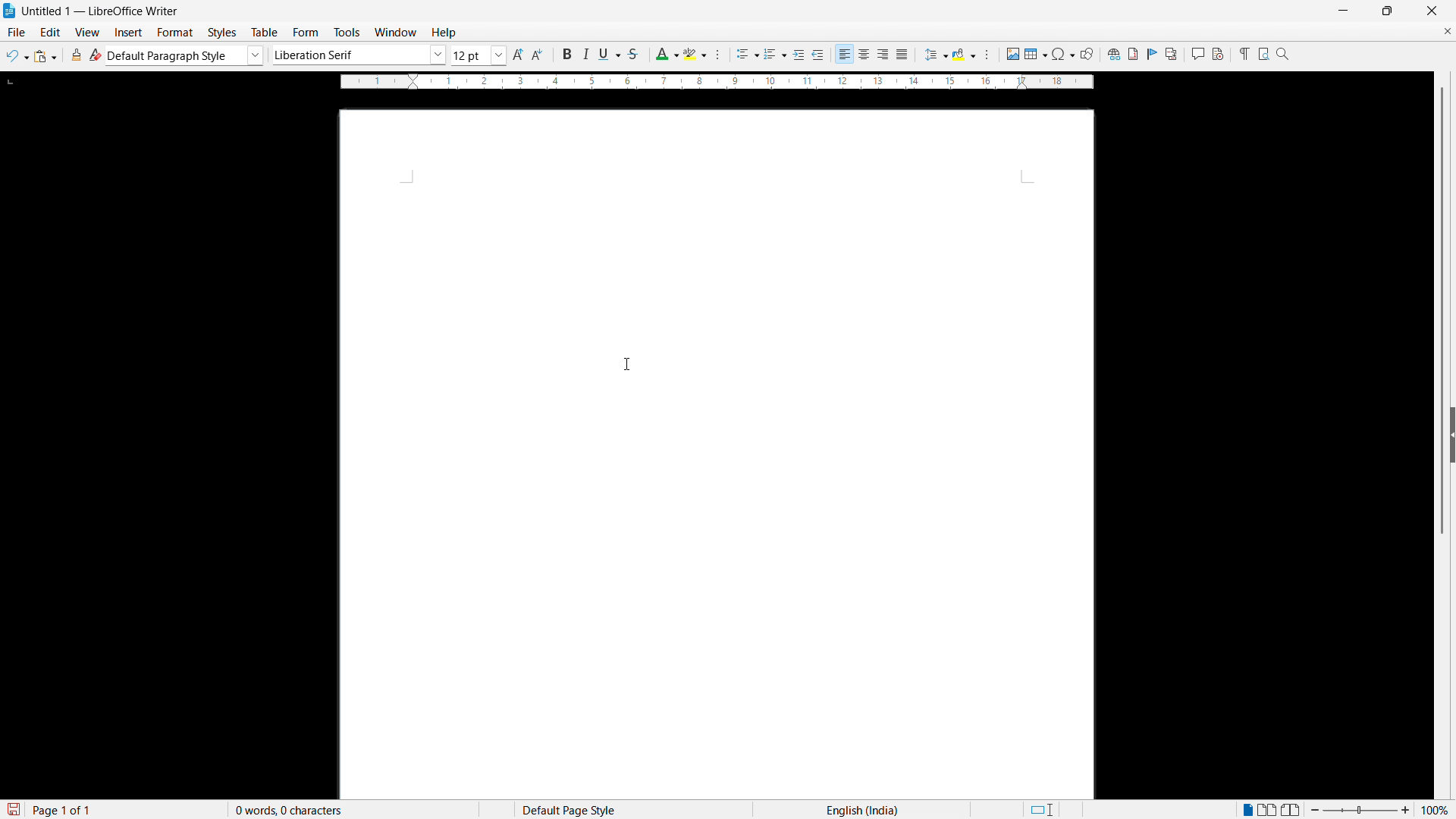  What do you see at coordinates (1342, 11) in the screenshot?
I see `minimise ` at bounding box center [1342, 11].